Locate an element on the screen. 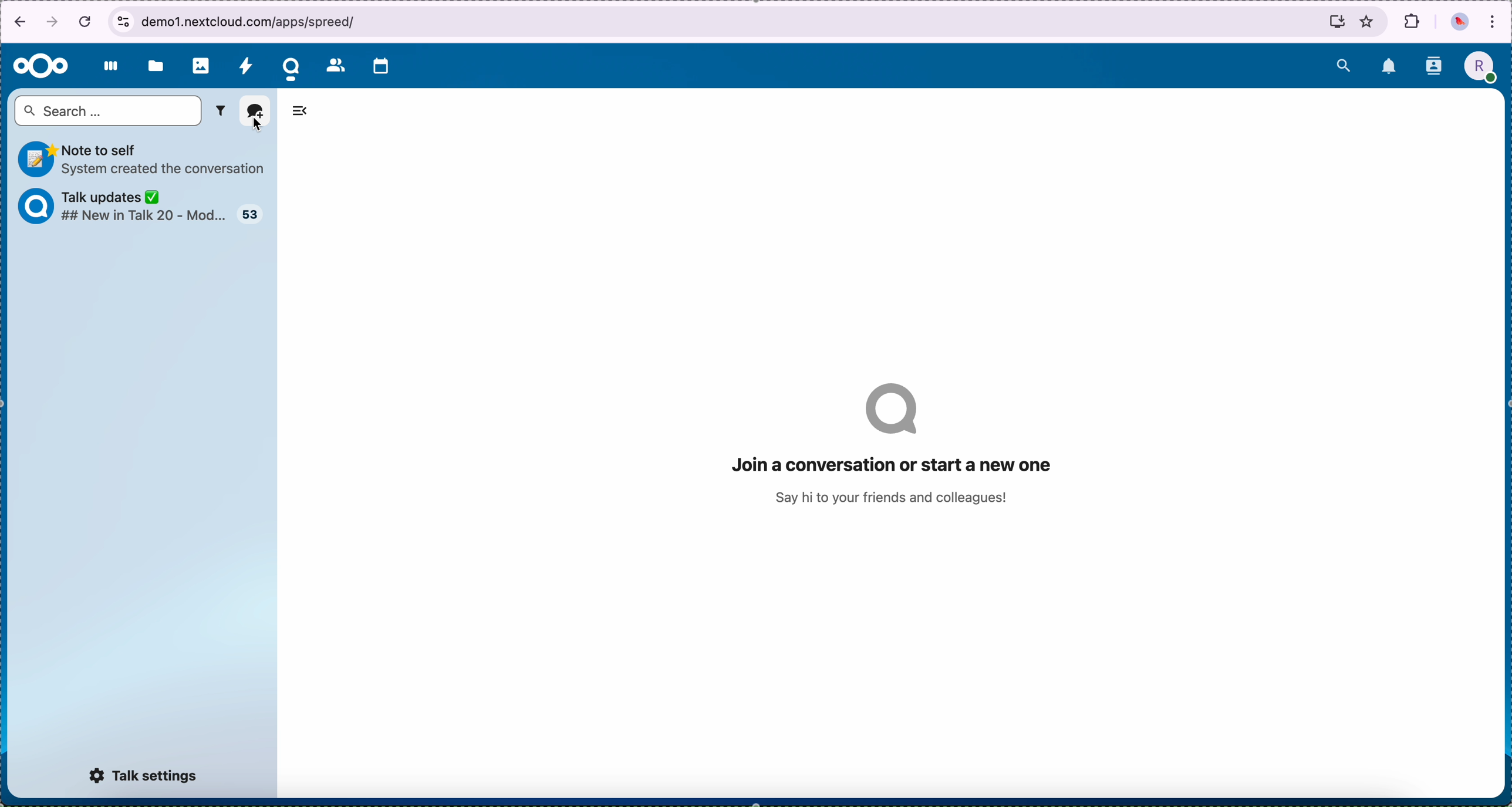  profile picture is located at coordinates (1459, 22).